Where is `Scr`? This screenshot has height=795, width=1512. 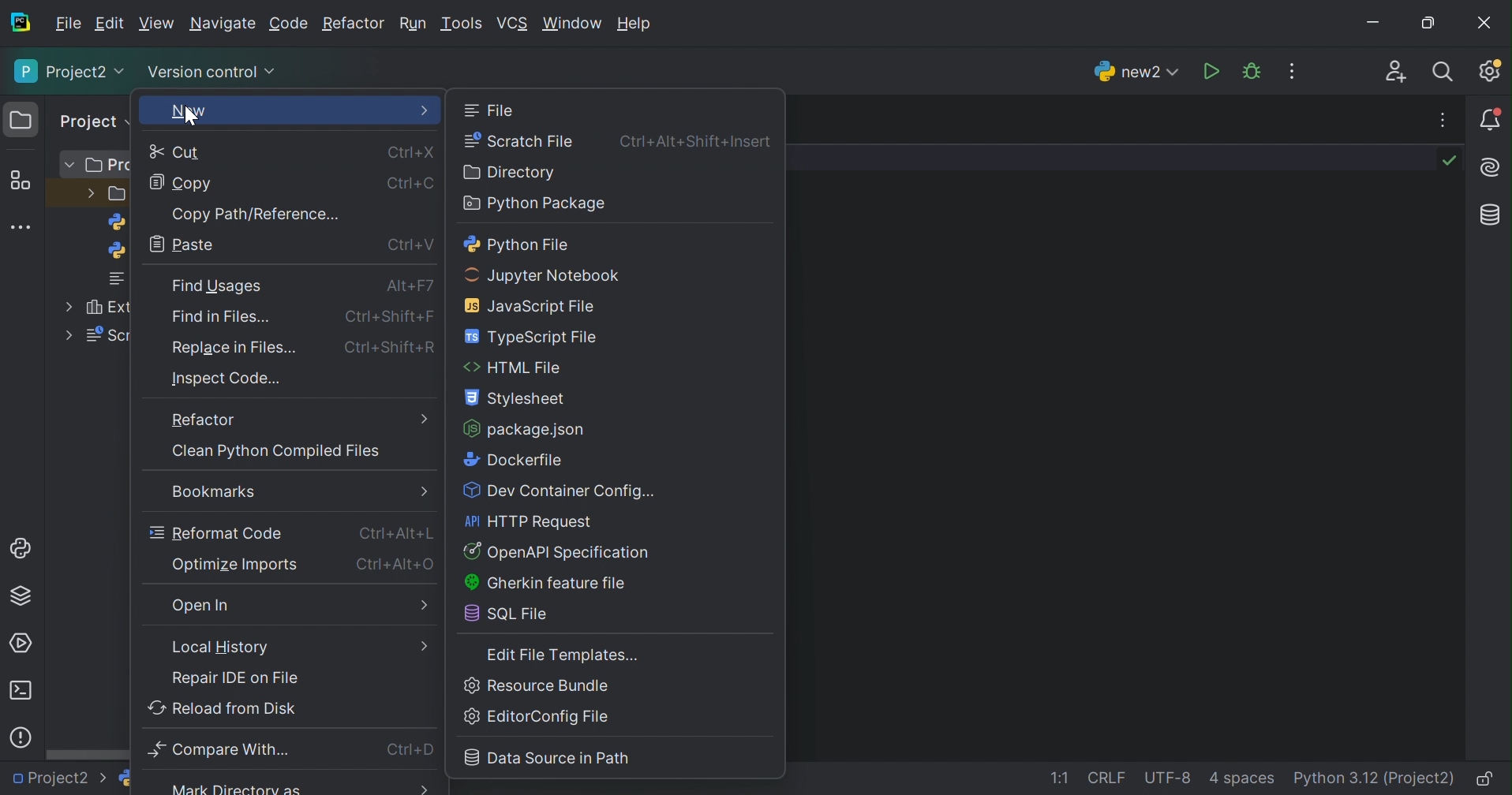 Scr is located at coordinates (109, 336).